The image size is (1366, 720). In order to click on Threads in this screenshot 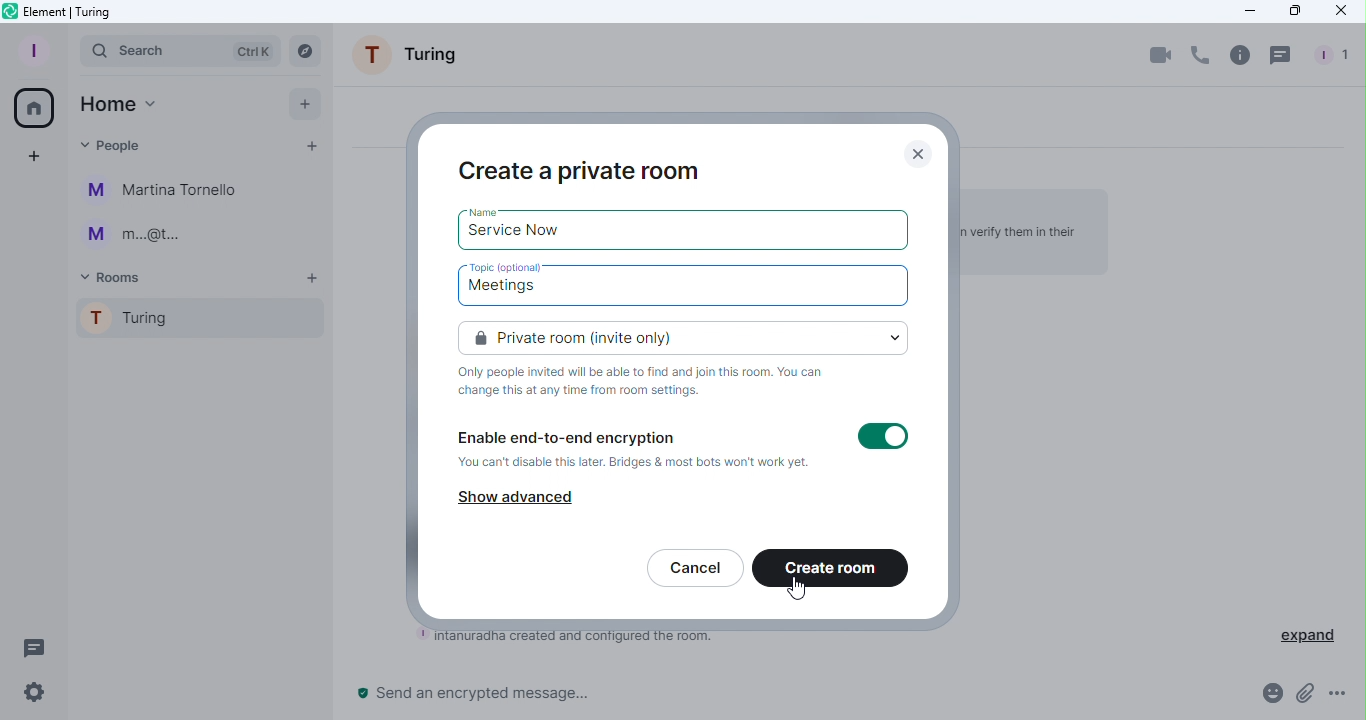, I will do `click(30, 645)`.